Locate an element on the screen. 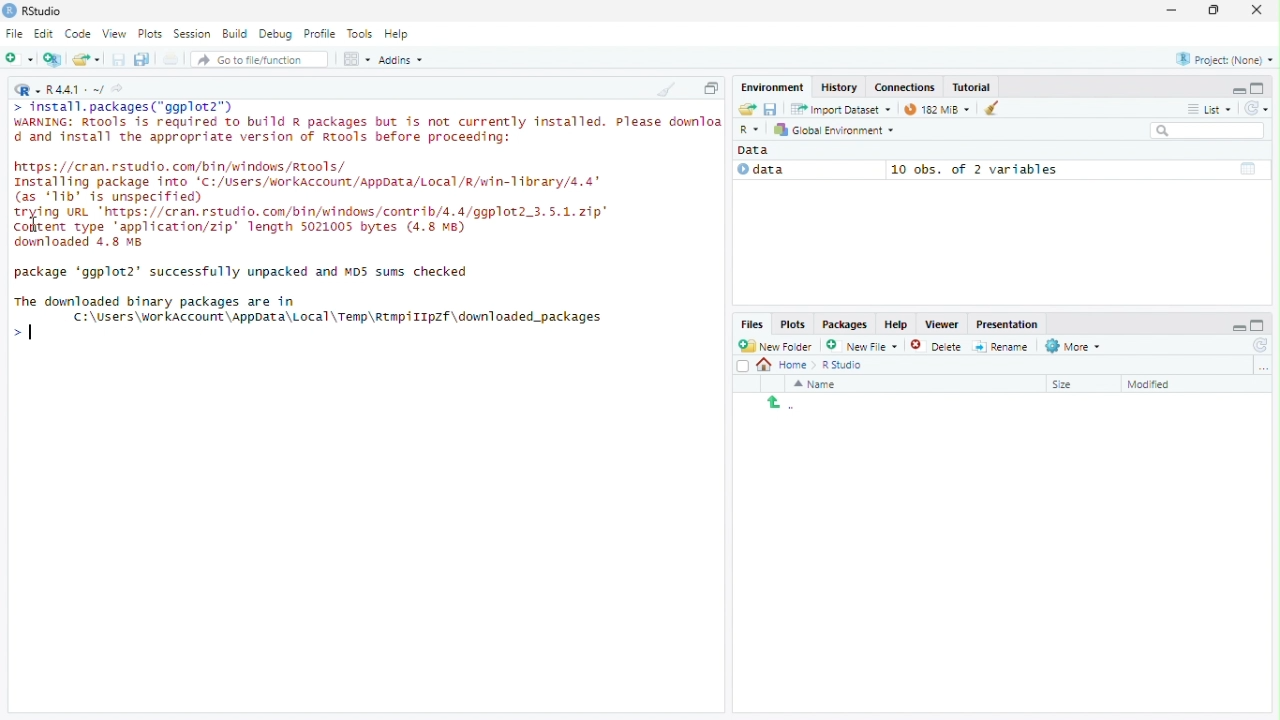 This screenshot has width=1280, height=720. maximize is located at coordinates (1261, 324).